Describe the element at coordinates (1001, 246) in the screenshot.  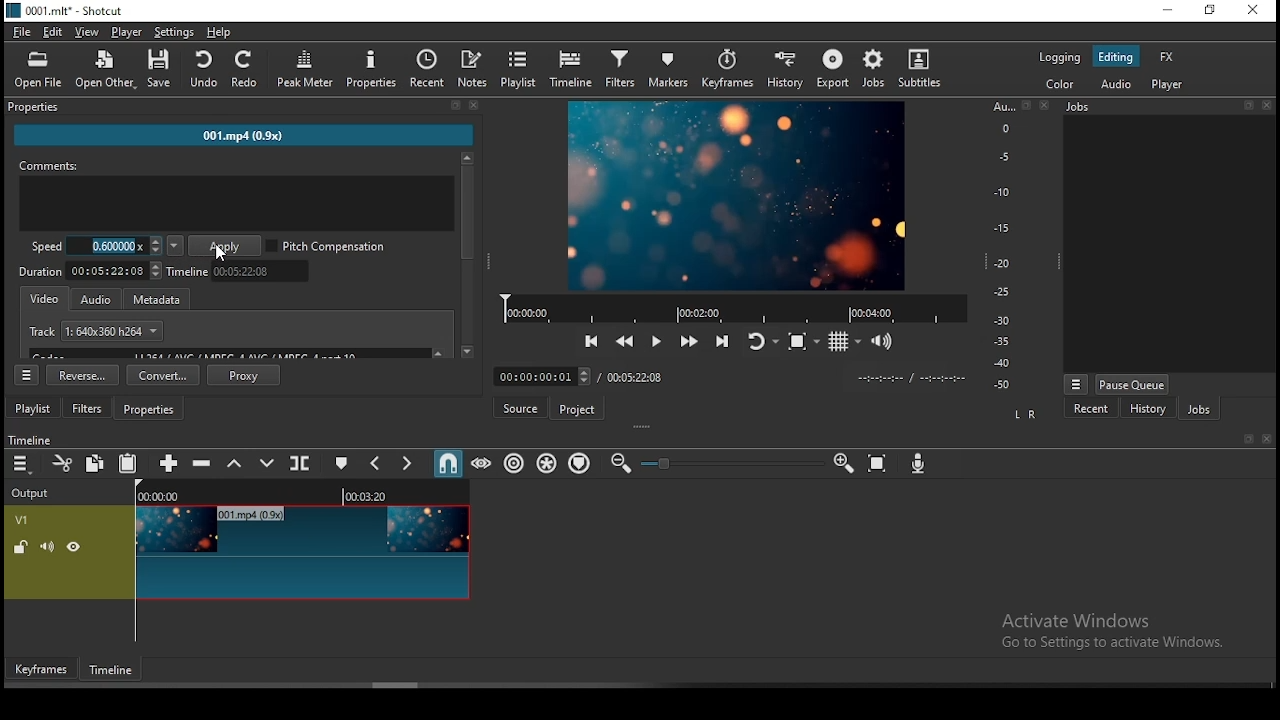
I see `scale` at that location.